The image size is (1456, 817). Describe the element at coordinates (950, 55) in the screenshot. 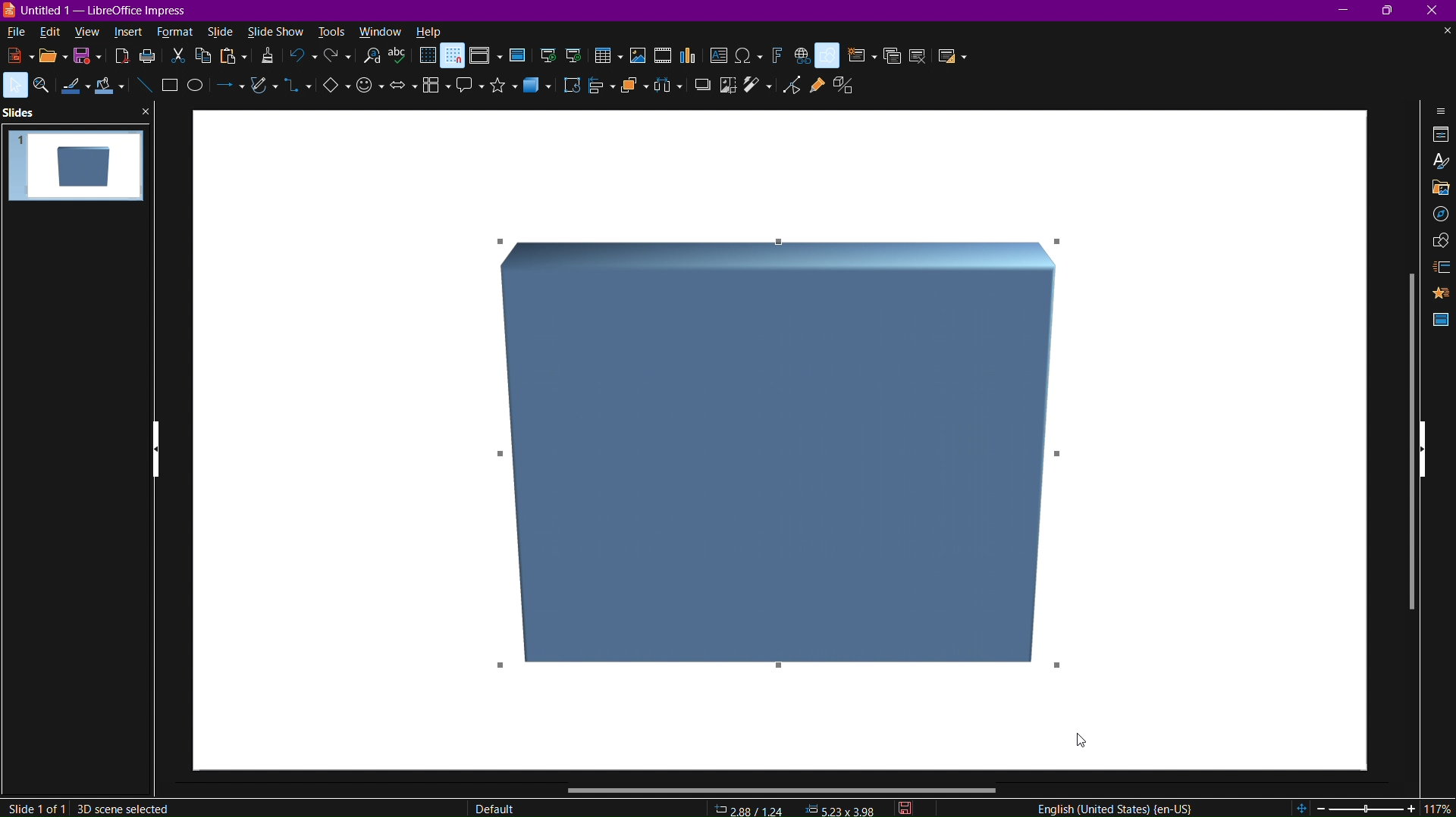

I see `Slide Layout` at that location.